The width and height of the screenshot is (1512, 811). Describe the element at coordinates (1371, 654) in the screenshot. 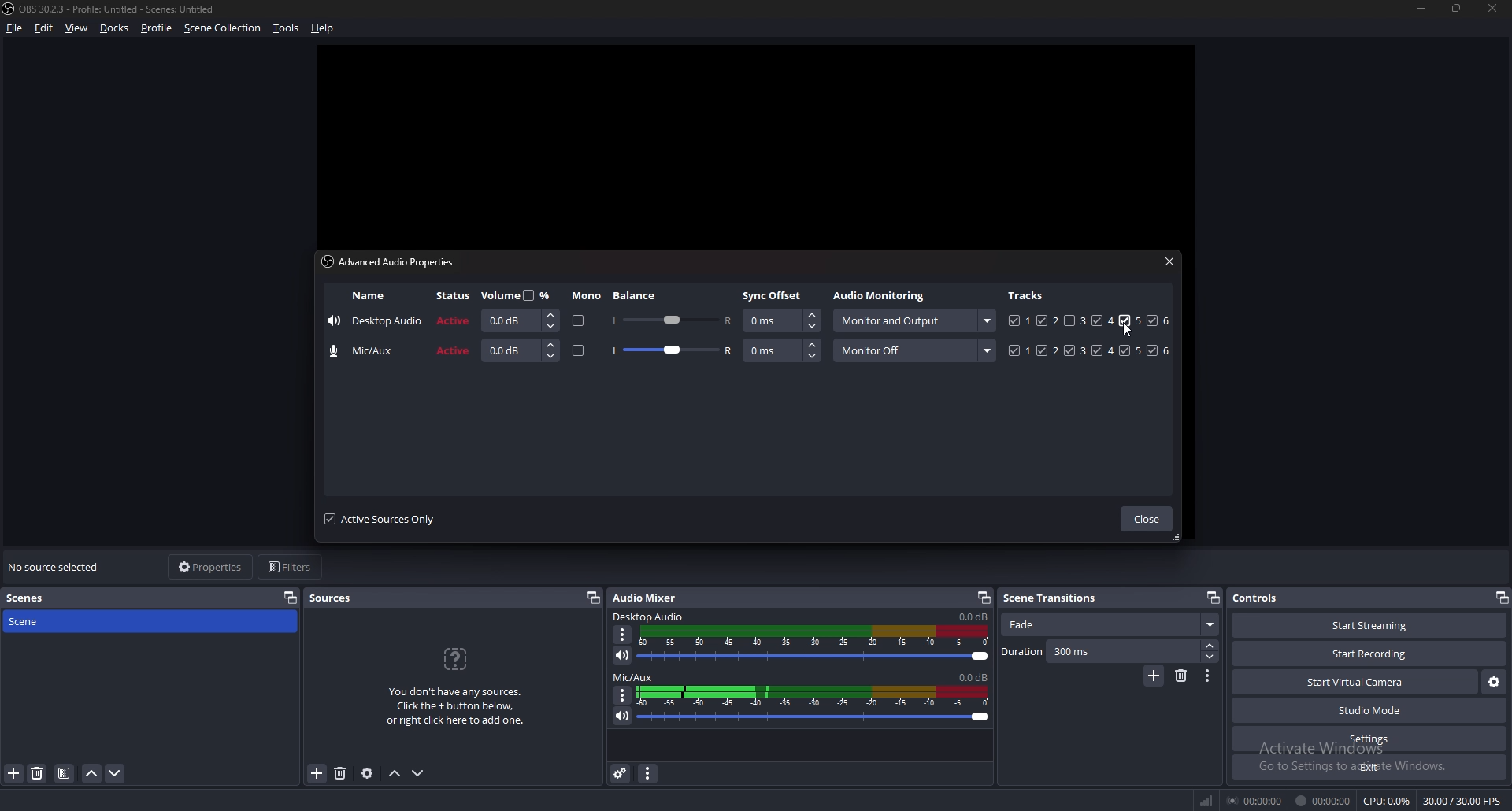

I see `start recording` at that location.